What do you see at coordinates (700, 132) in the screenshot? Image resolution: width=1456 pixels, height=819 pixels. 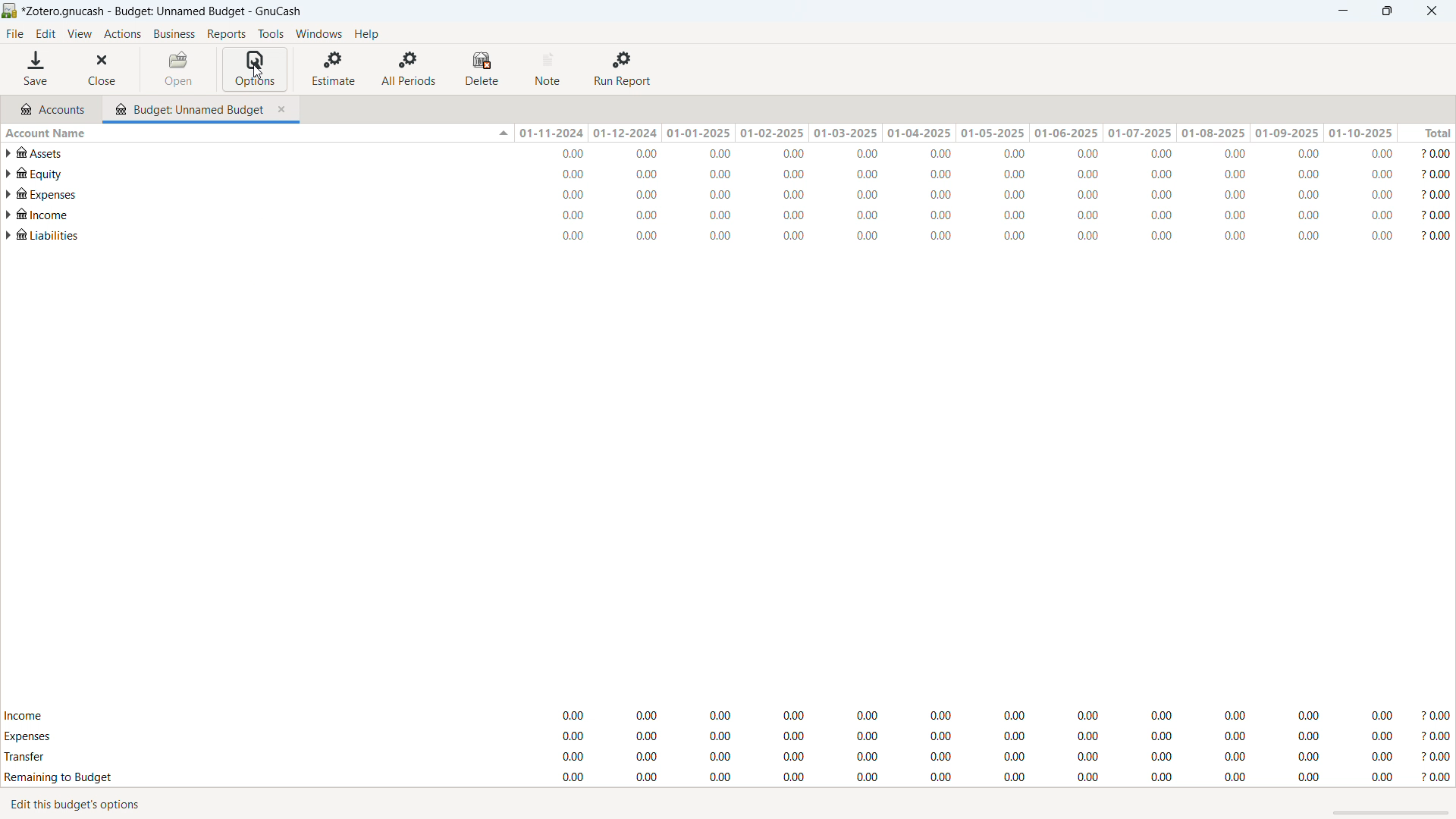 I see `01-01-2025` at bounding box center [700, 132].